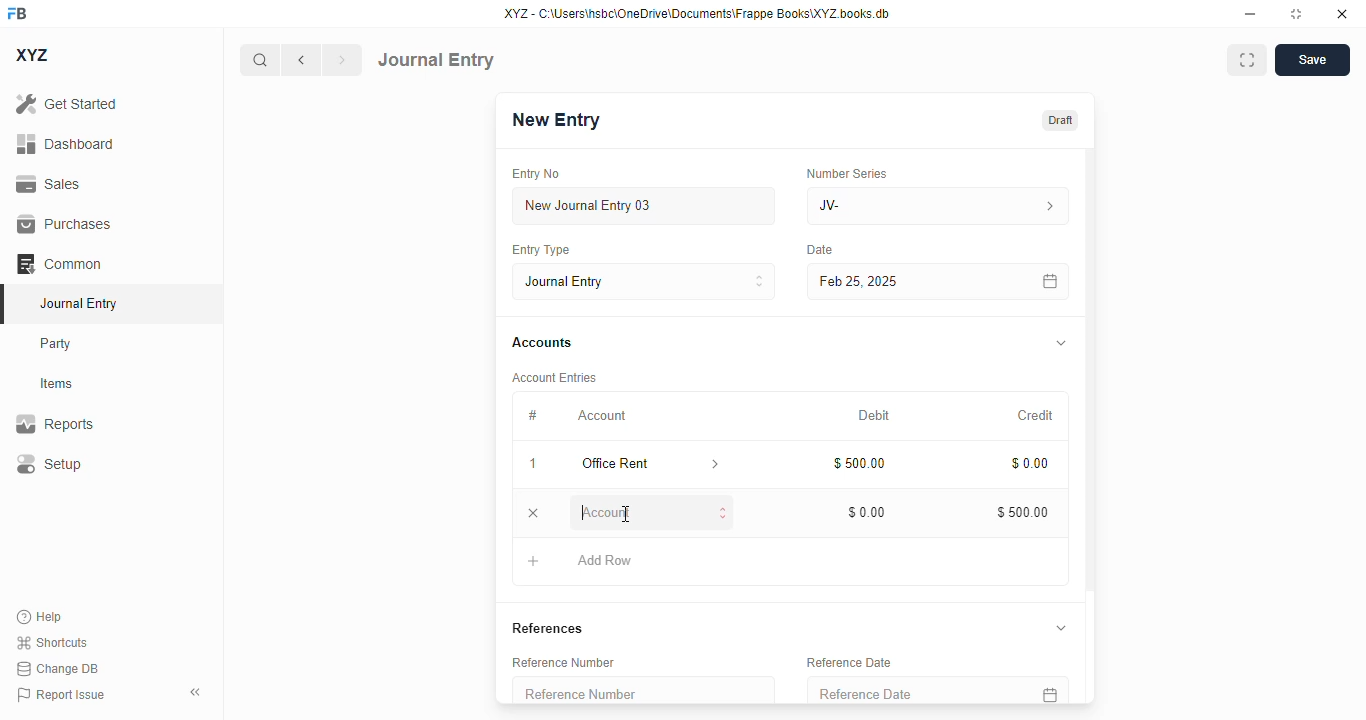  What do you see at coordinates (653, 513) in the screenshot?
I see `account - typing` at bounding box center [653, 513].